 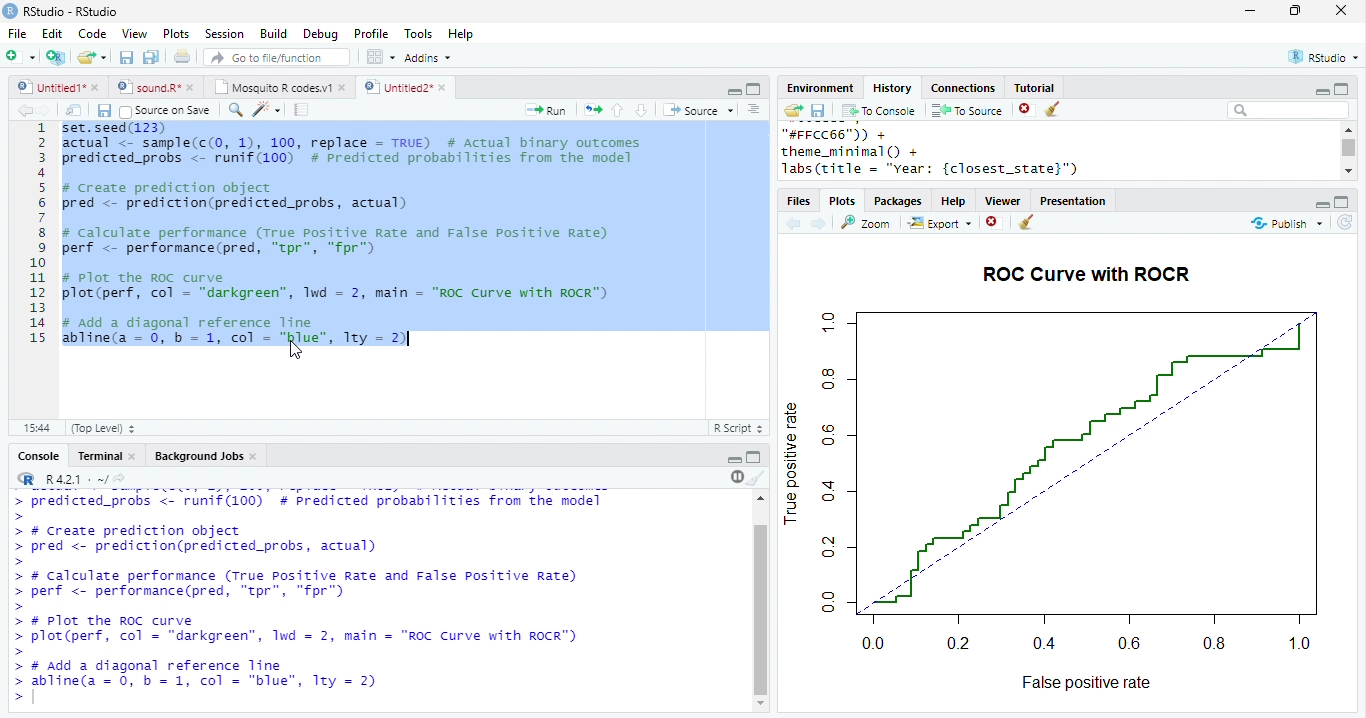 I want to click on Presentation, so click(x=1073, y=201).